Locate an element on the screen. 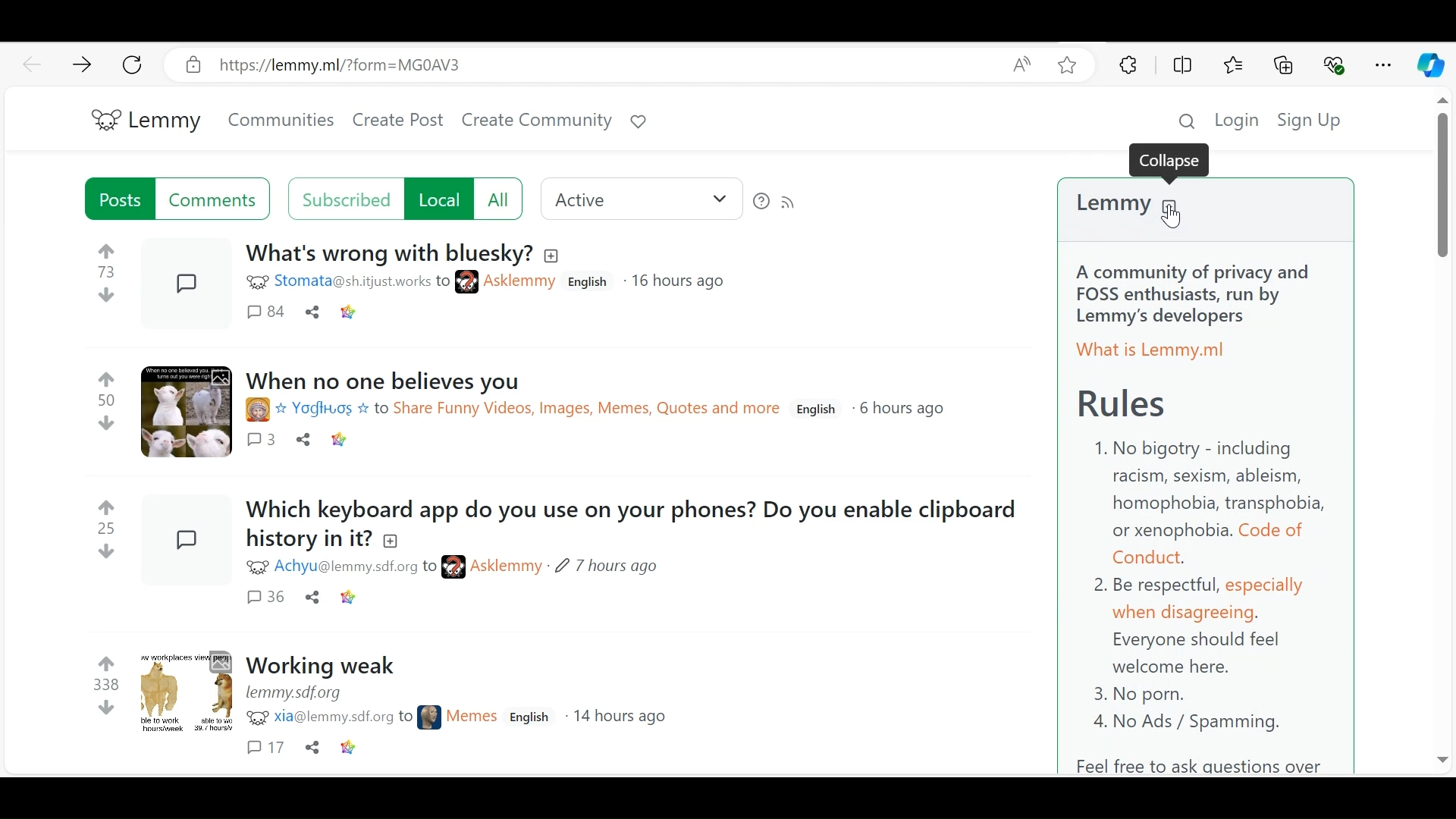 The width and height of the screenshot is (1456, 819). RSS is located at coordinates (789, 202).